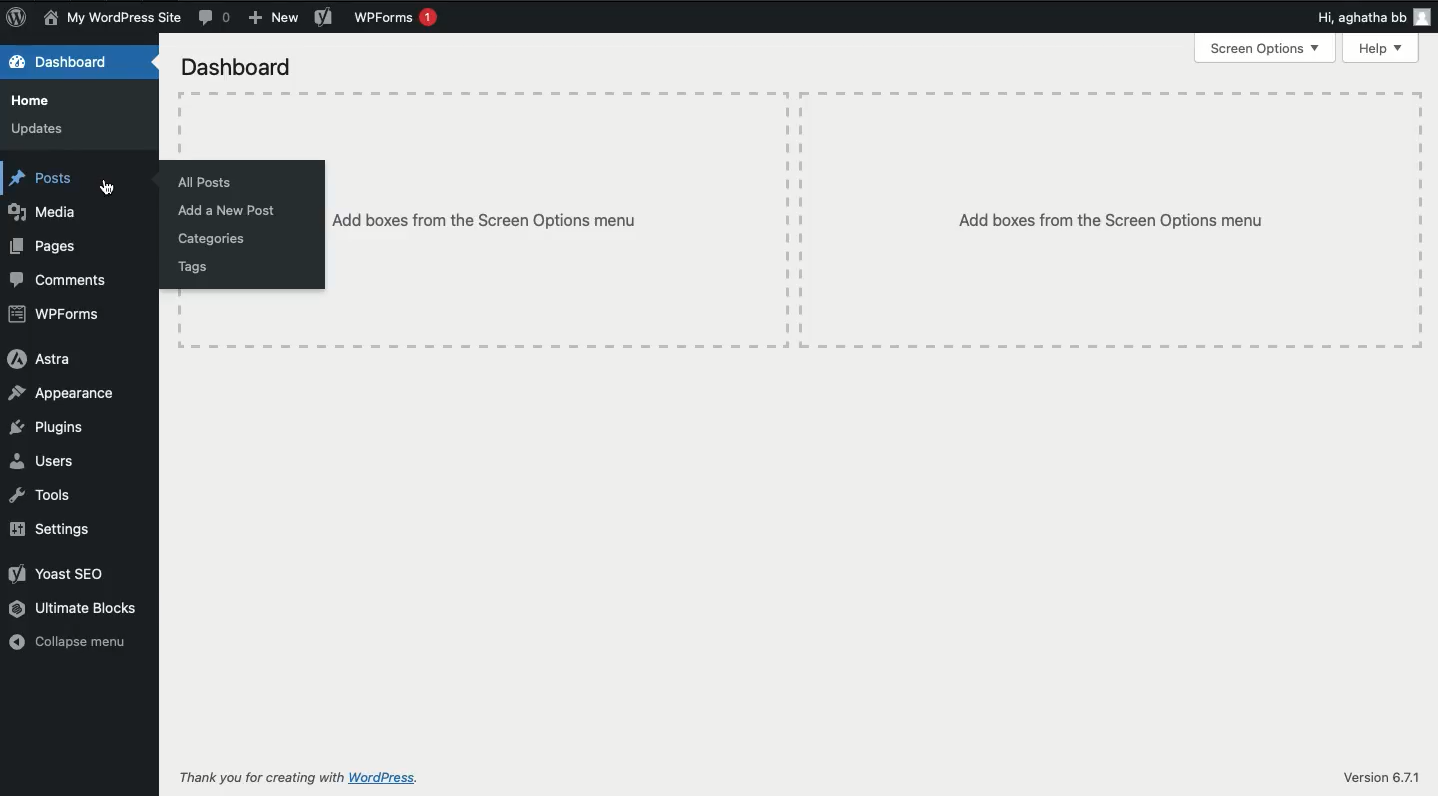 Image resolution: width=1438 pixels, height=796 pixels. I want to click on Dashboard, so click(237, 68).